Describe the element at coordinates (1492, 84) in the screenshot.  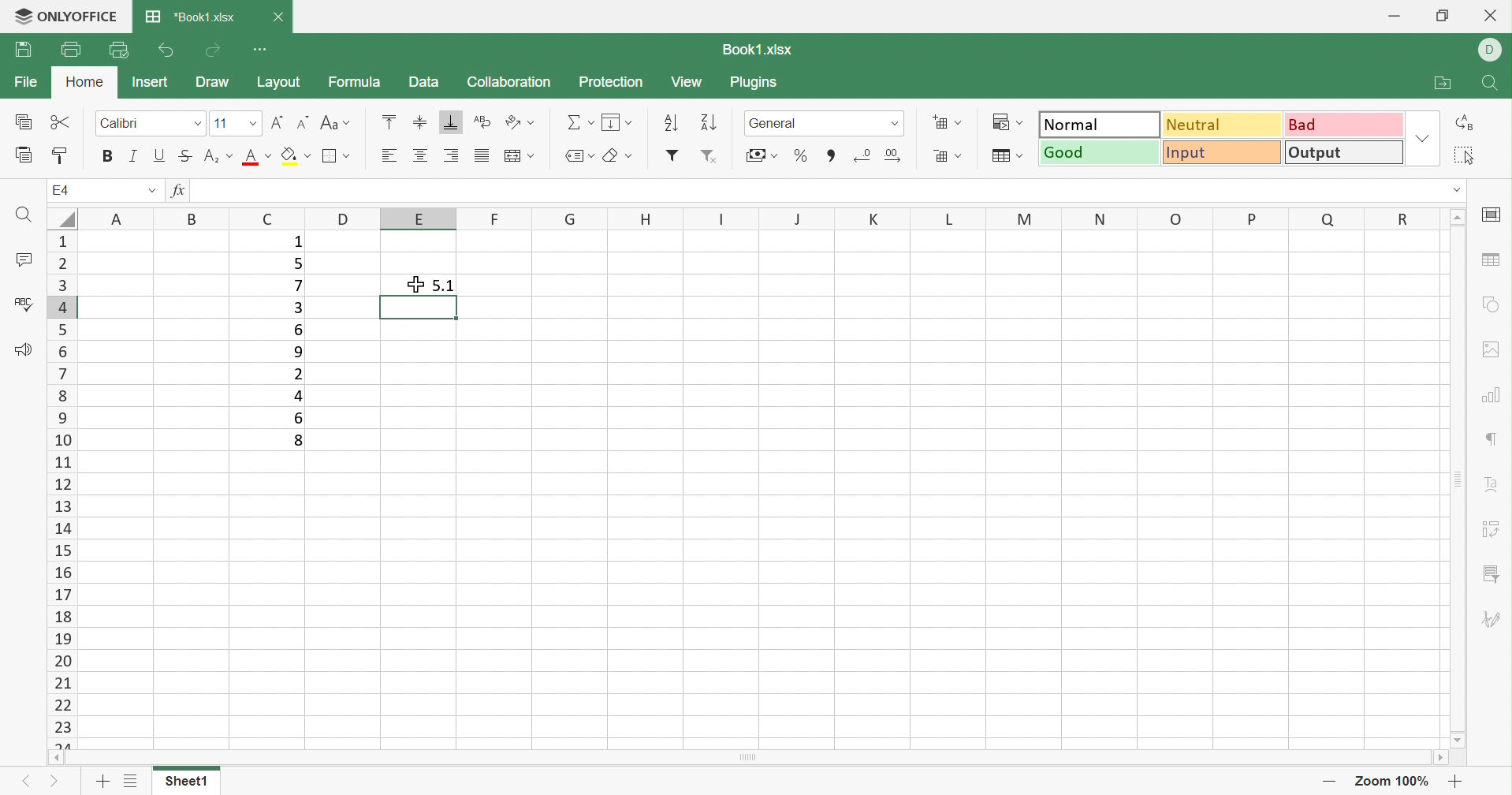
I see `Find` at that location.